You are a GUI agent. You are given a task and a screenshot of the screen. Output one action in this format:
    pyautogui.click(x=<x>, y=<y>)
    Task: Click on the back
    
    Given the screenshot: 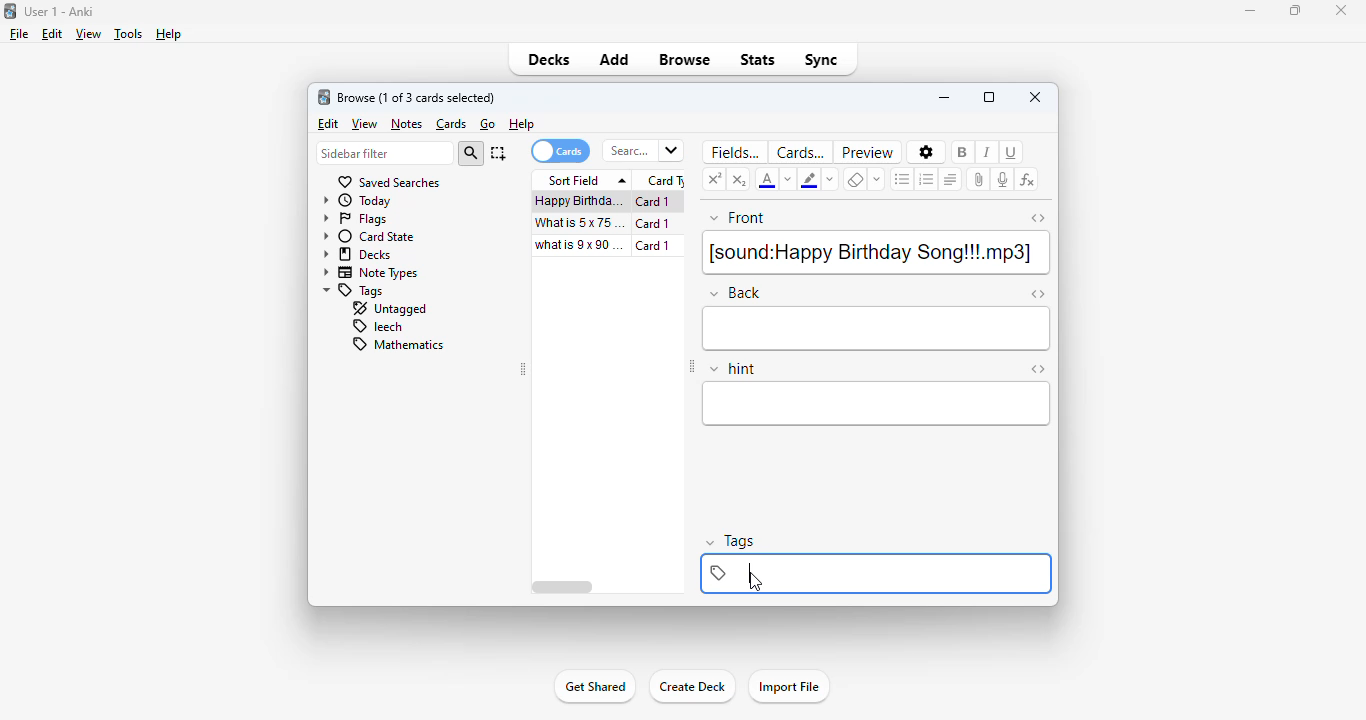 What is the action you would take?
    pyautogui.click(x=878, y=329)
    